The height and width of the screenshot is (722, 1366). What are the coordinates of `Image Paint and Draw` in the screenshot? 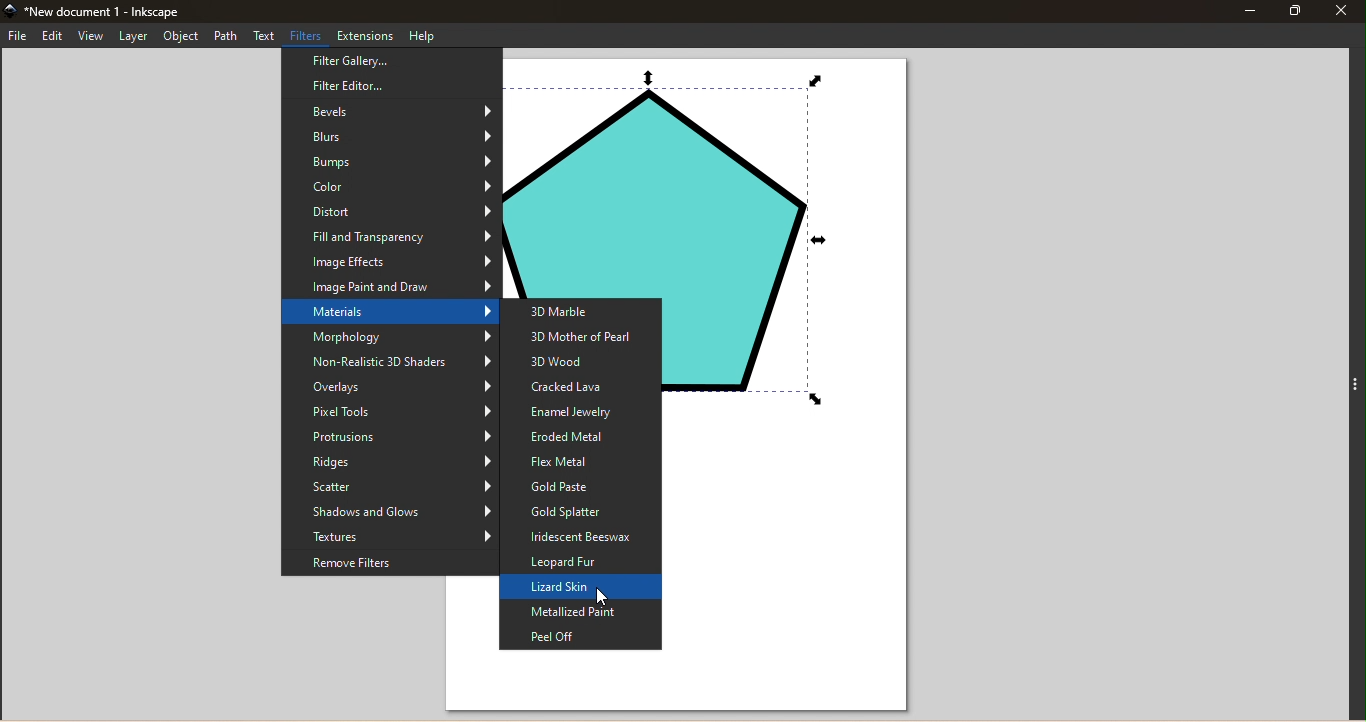 It's located at (391, 288).